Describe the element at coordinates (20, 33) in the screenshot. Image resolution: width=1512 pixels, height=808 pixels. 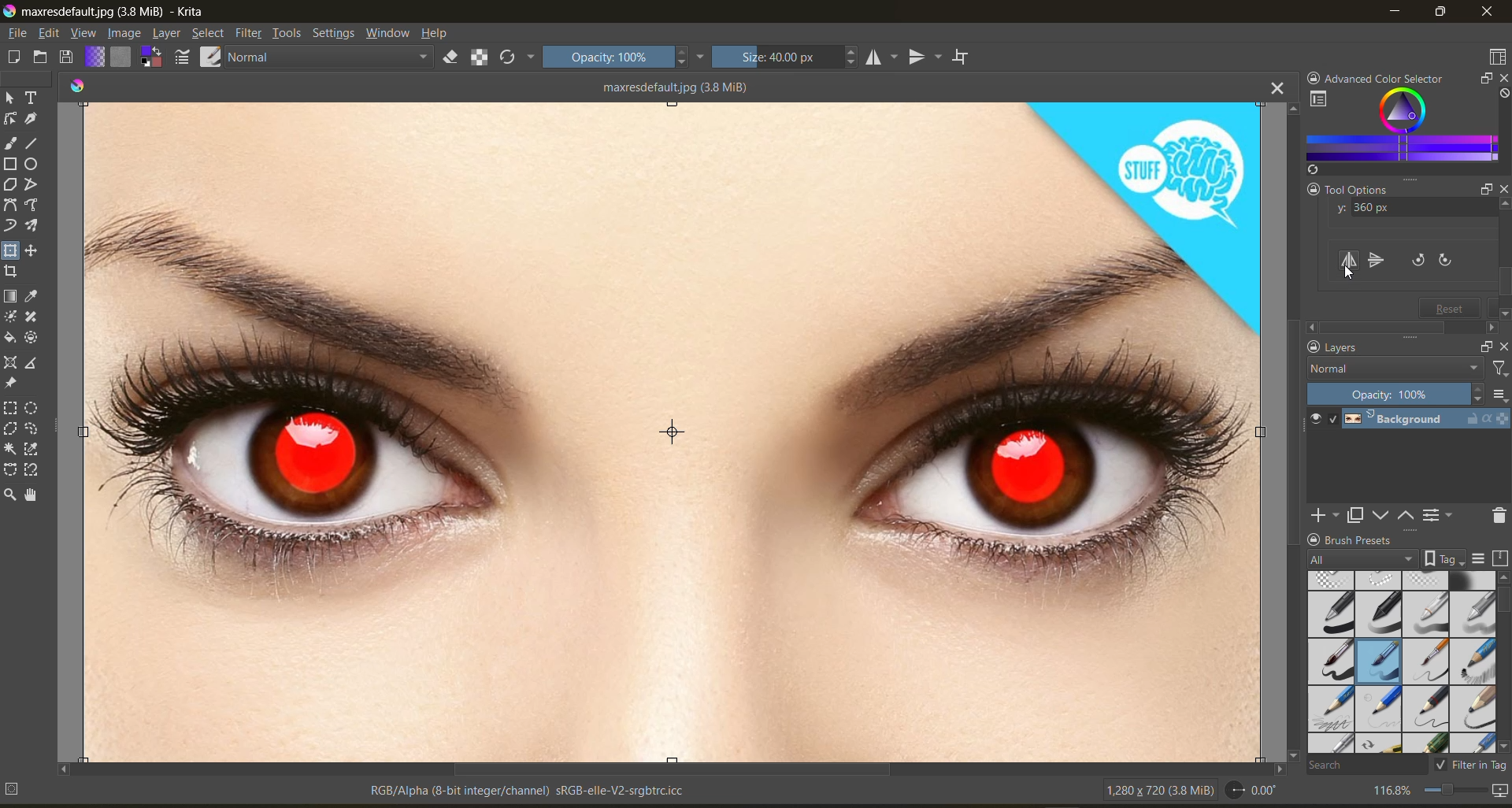
I see `file` at that location.